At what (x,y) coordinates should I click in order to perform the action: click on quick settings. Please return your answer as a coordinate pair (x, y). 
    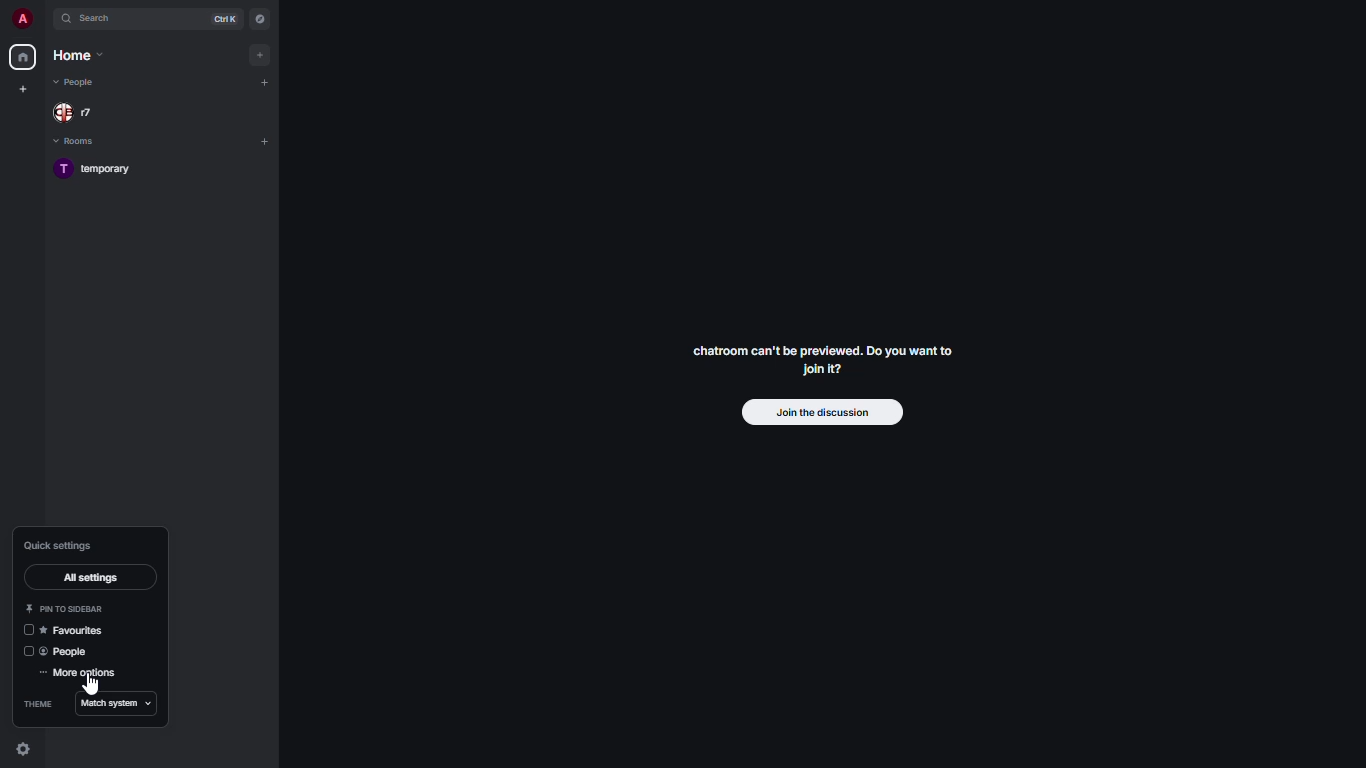
    Looking at the image, I should click on (59, 544).